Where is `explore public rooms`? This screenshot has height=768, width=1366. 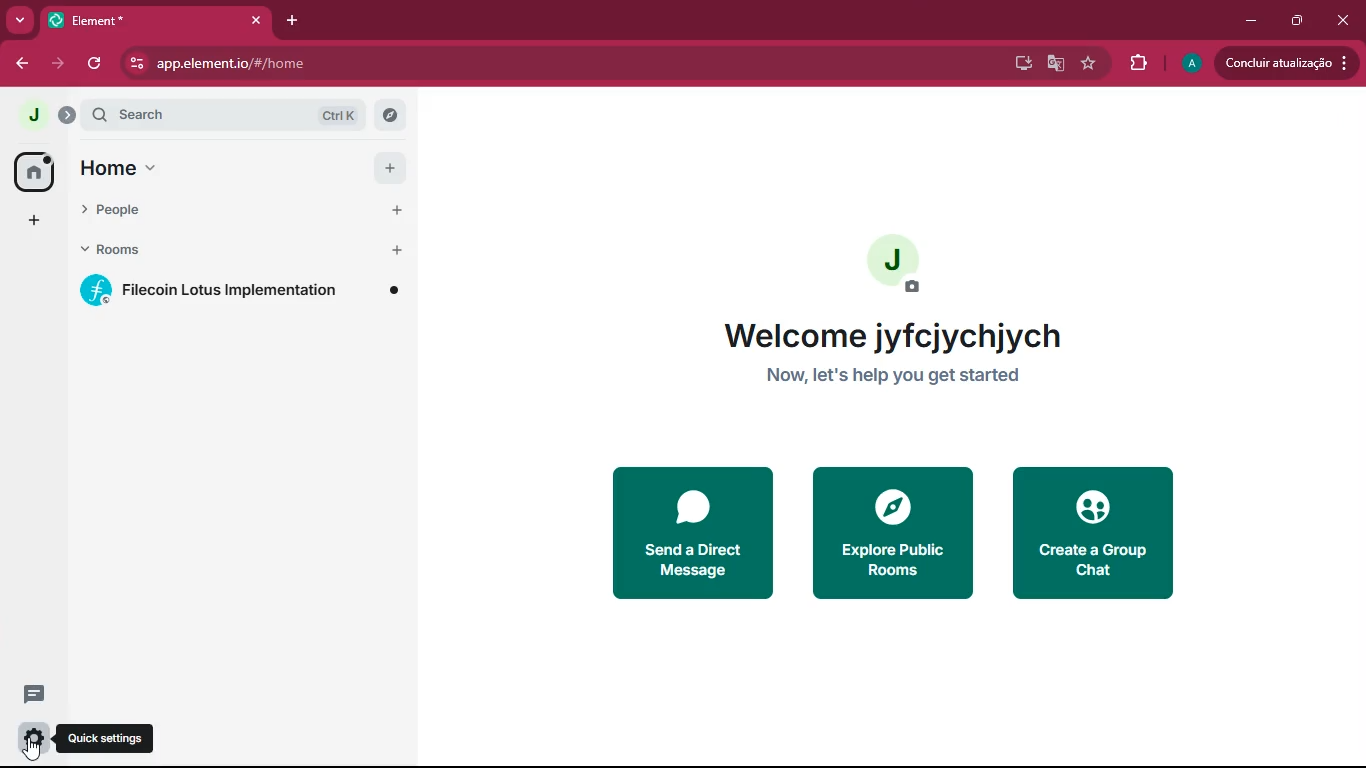
explore public rooms is located at coordinates (890, 532).